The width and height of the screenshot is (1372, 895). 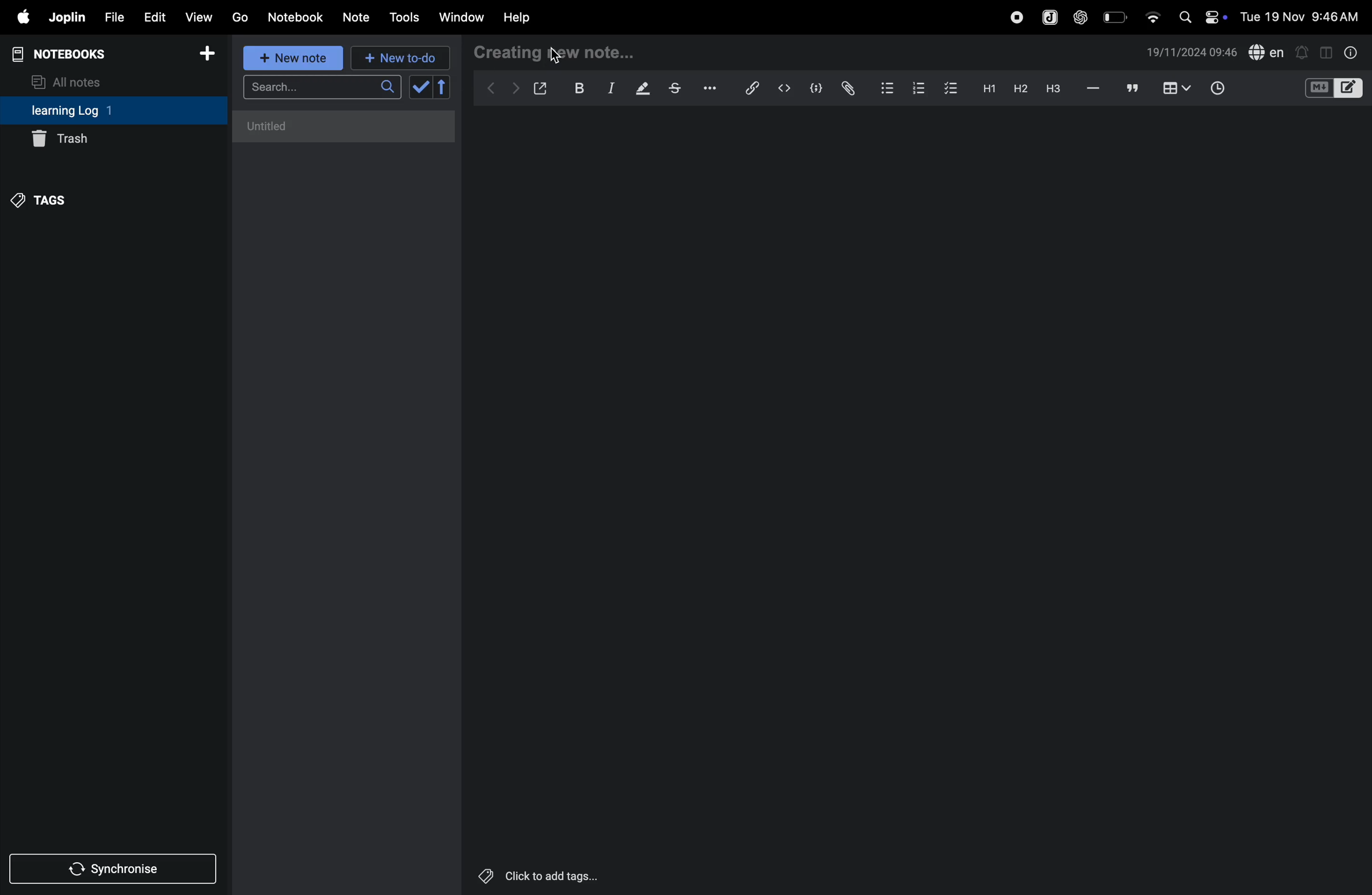 I want to click on file, so click(x=112, y=18).